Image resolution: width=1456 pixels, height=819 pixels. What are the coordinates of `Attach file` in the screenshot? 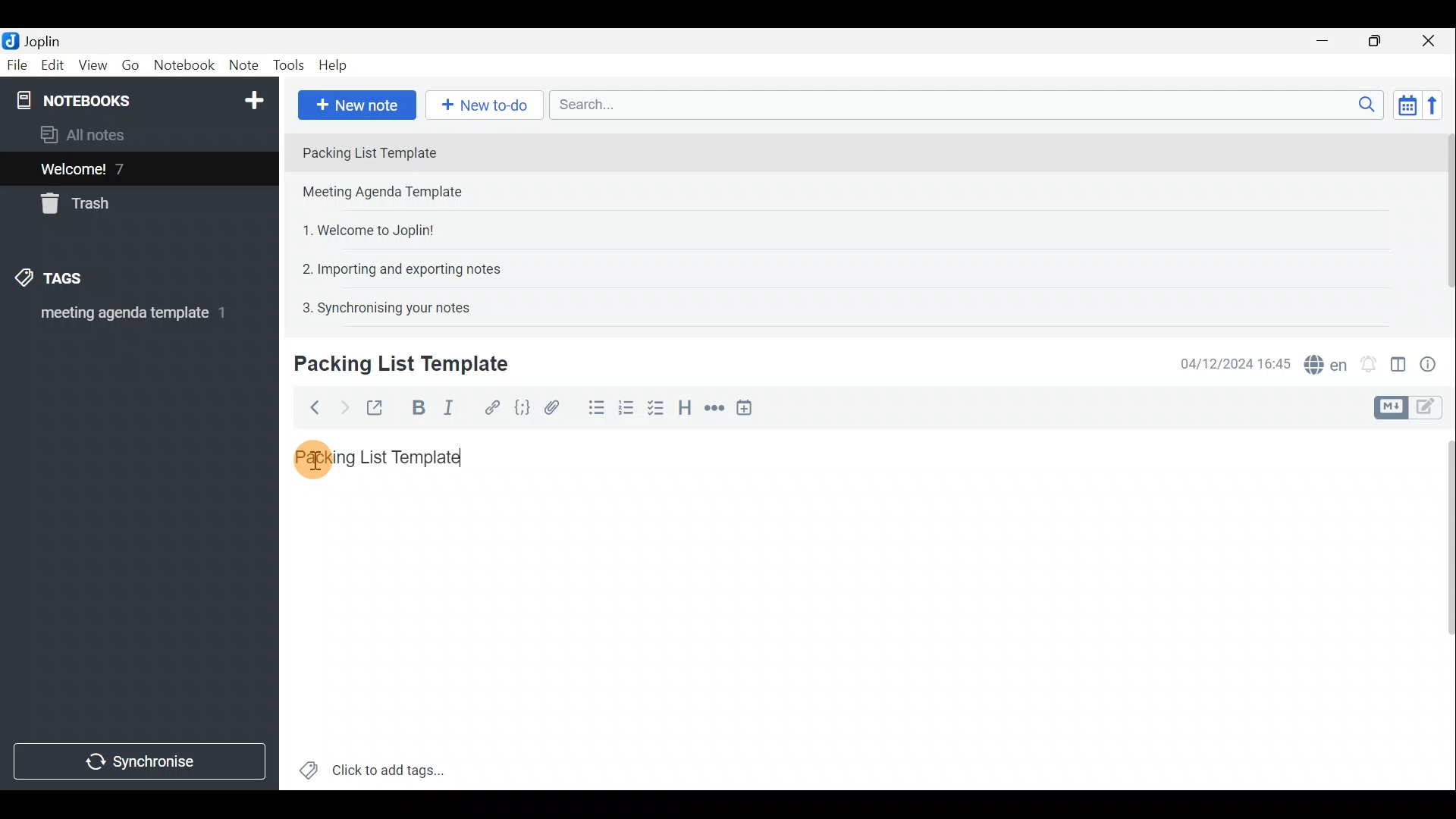 It's located at (552, 406).